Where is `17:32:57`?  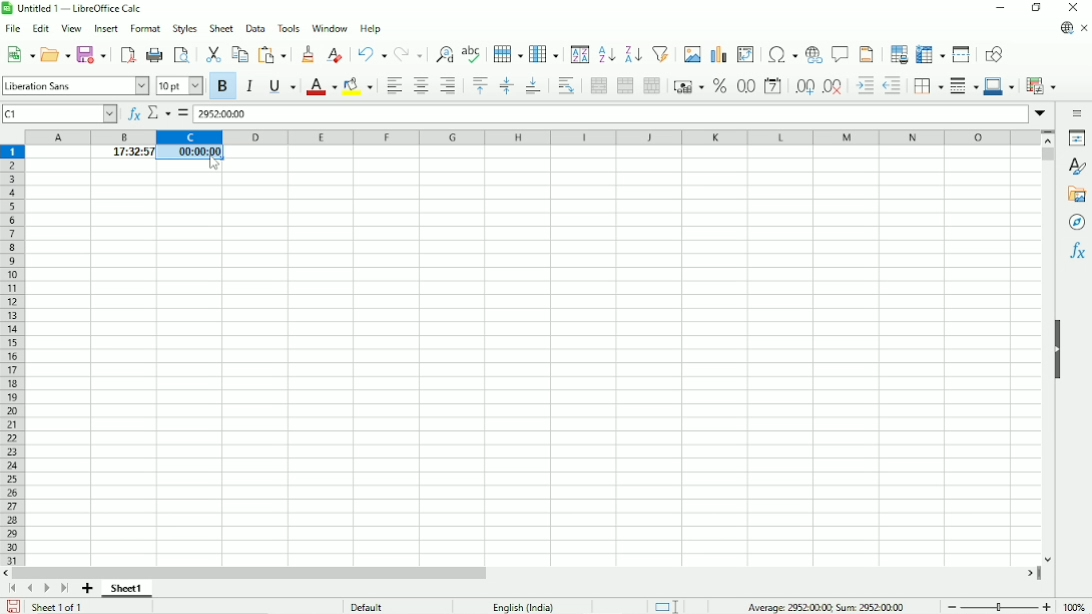 17:32:57 is located at coordinates (122, 153).